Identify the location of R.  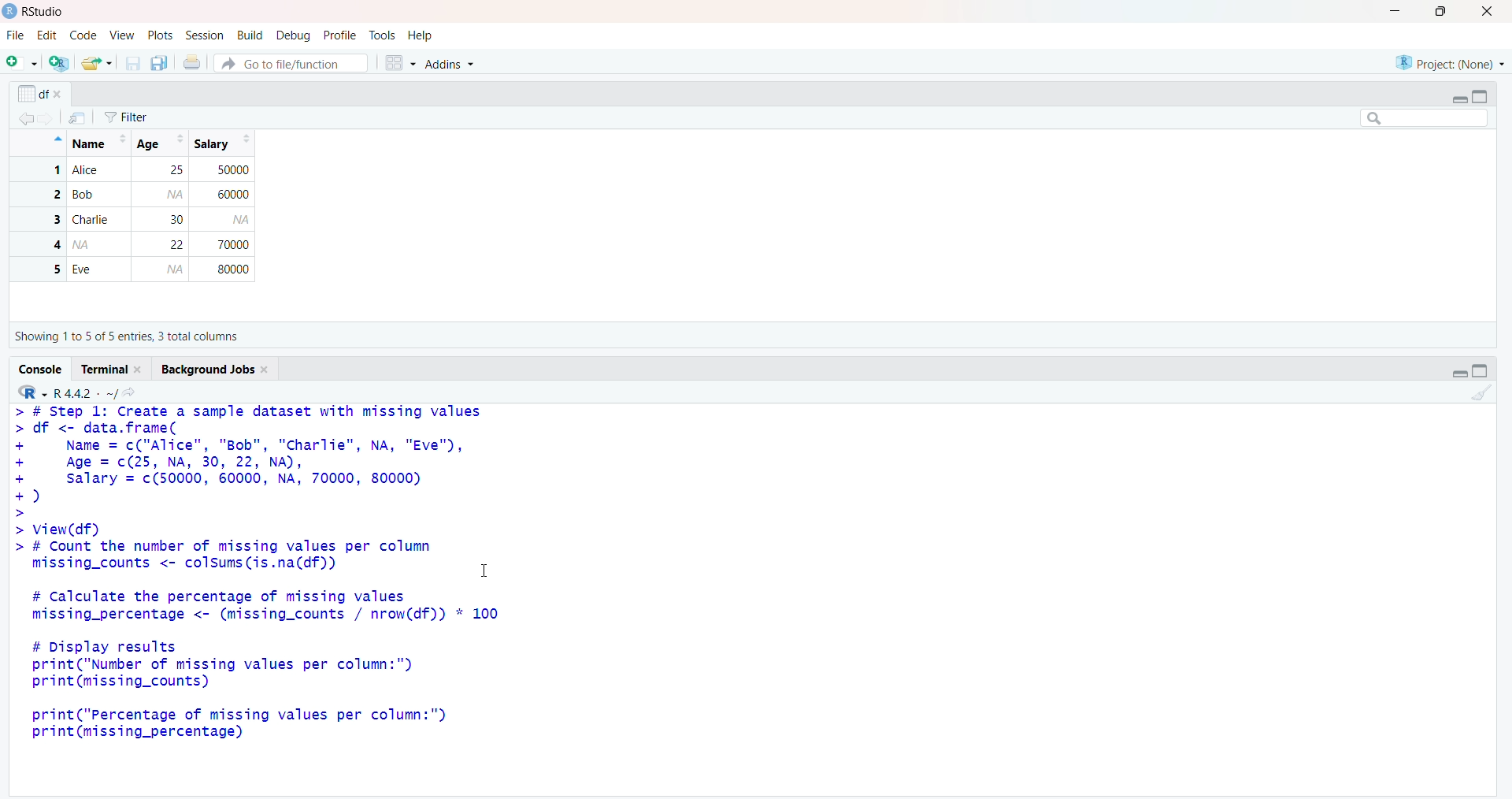
(33, 391).